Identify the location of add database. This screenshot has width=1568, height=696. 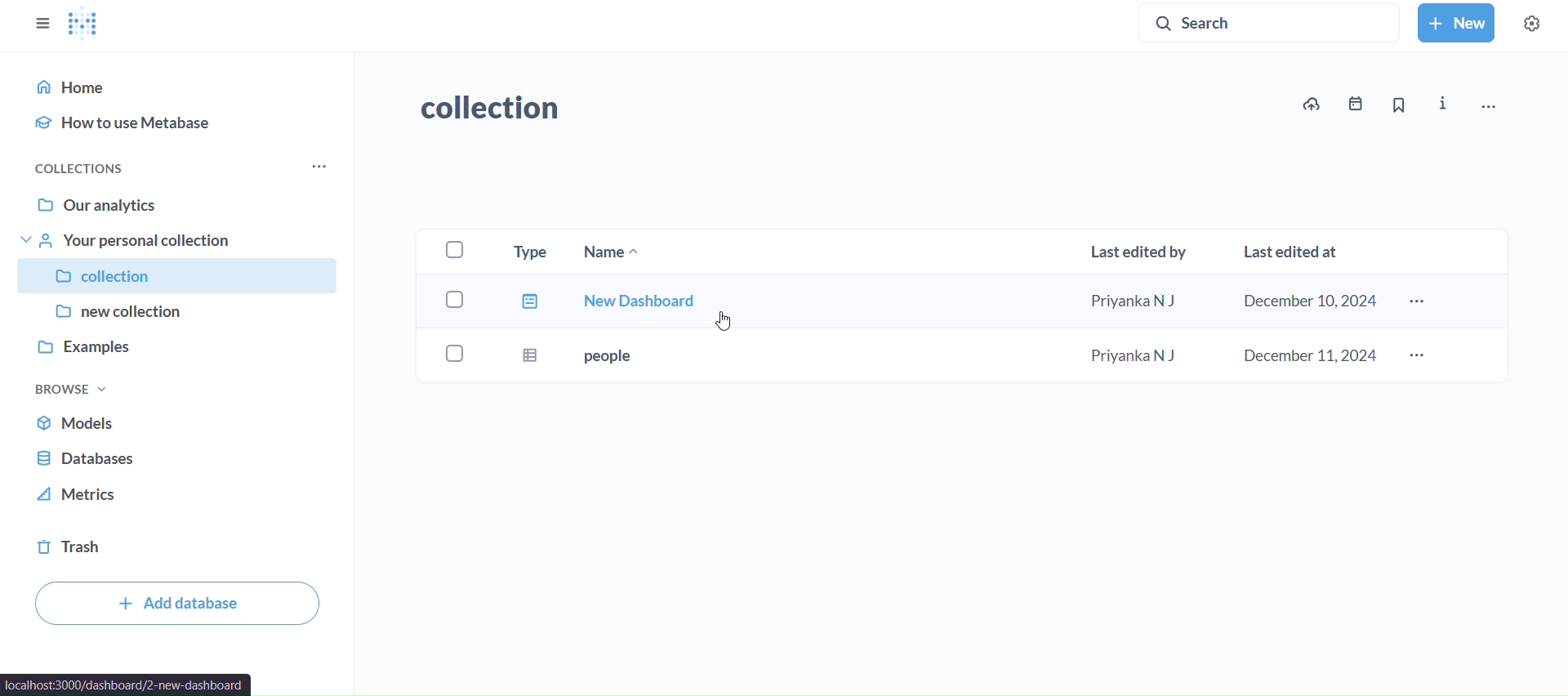
(179, 603).